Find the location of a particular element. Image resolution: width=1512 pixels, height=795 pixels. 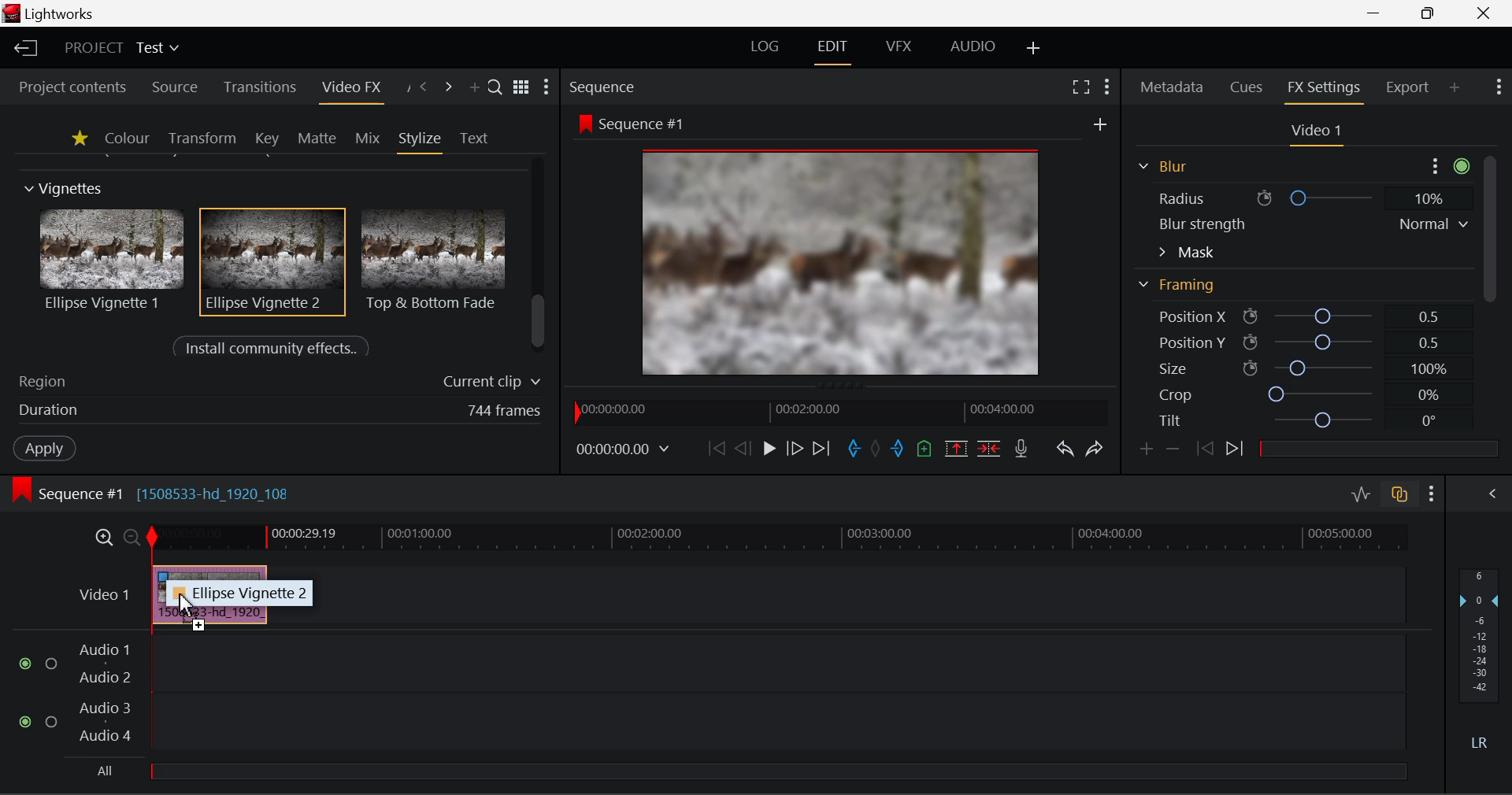

Scroll Bar is located at coordinates (1488, 250).